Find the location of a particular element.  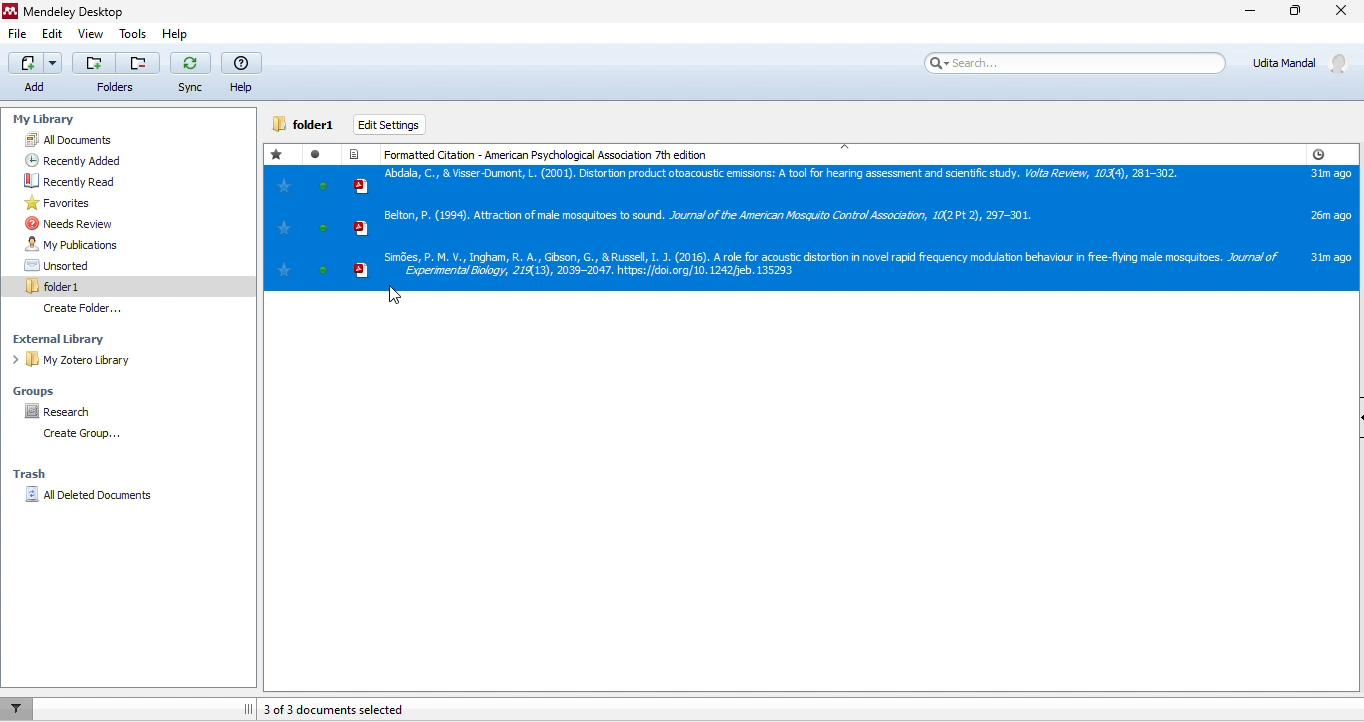

folder1 is located at coordinates (306, 124).